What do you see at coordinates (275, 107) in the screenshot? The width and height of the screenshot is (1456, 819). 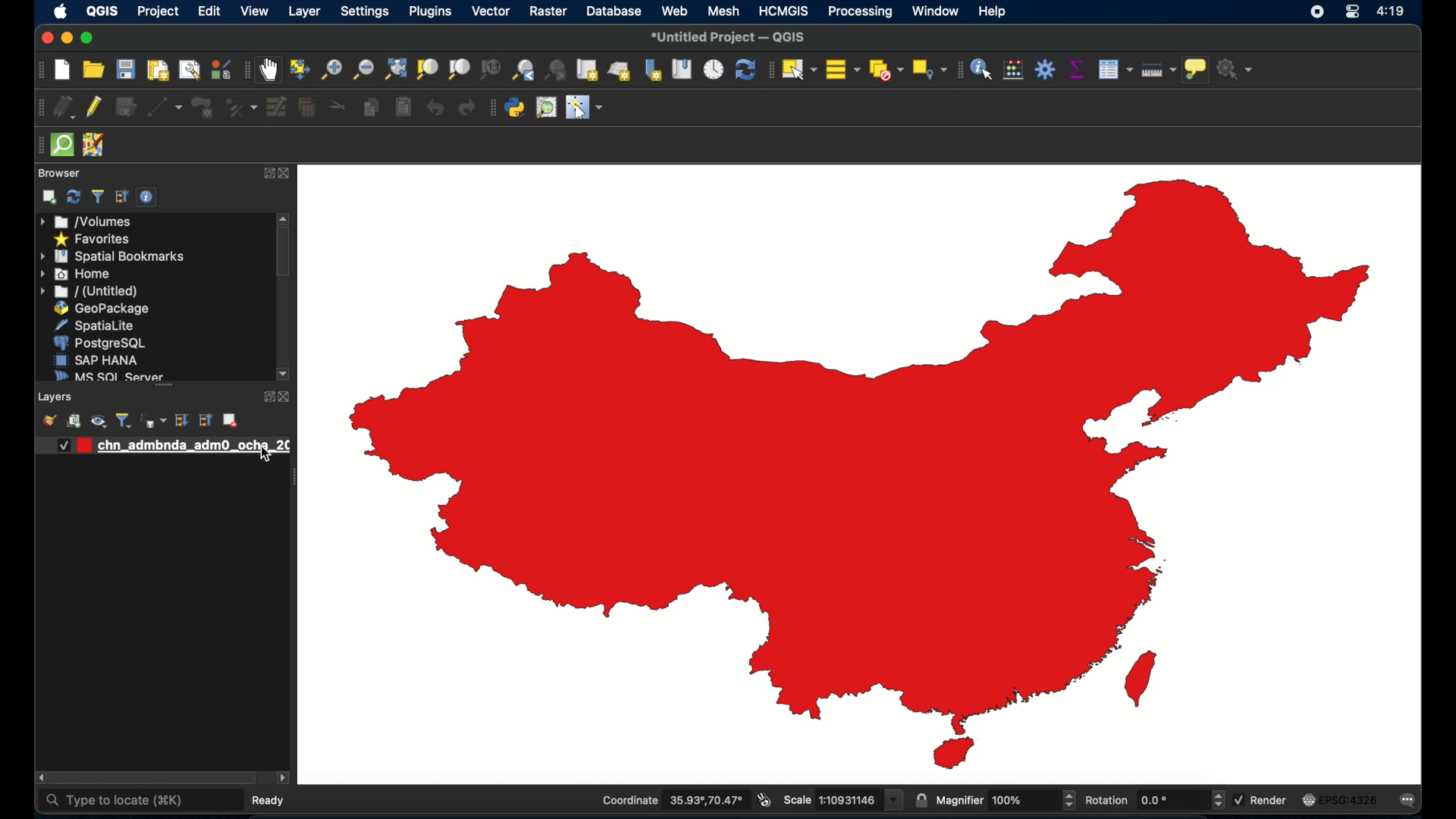 I see `modify attributes` at bounding box center [275, 107].